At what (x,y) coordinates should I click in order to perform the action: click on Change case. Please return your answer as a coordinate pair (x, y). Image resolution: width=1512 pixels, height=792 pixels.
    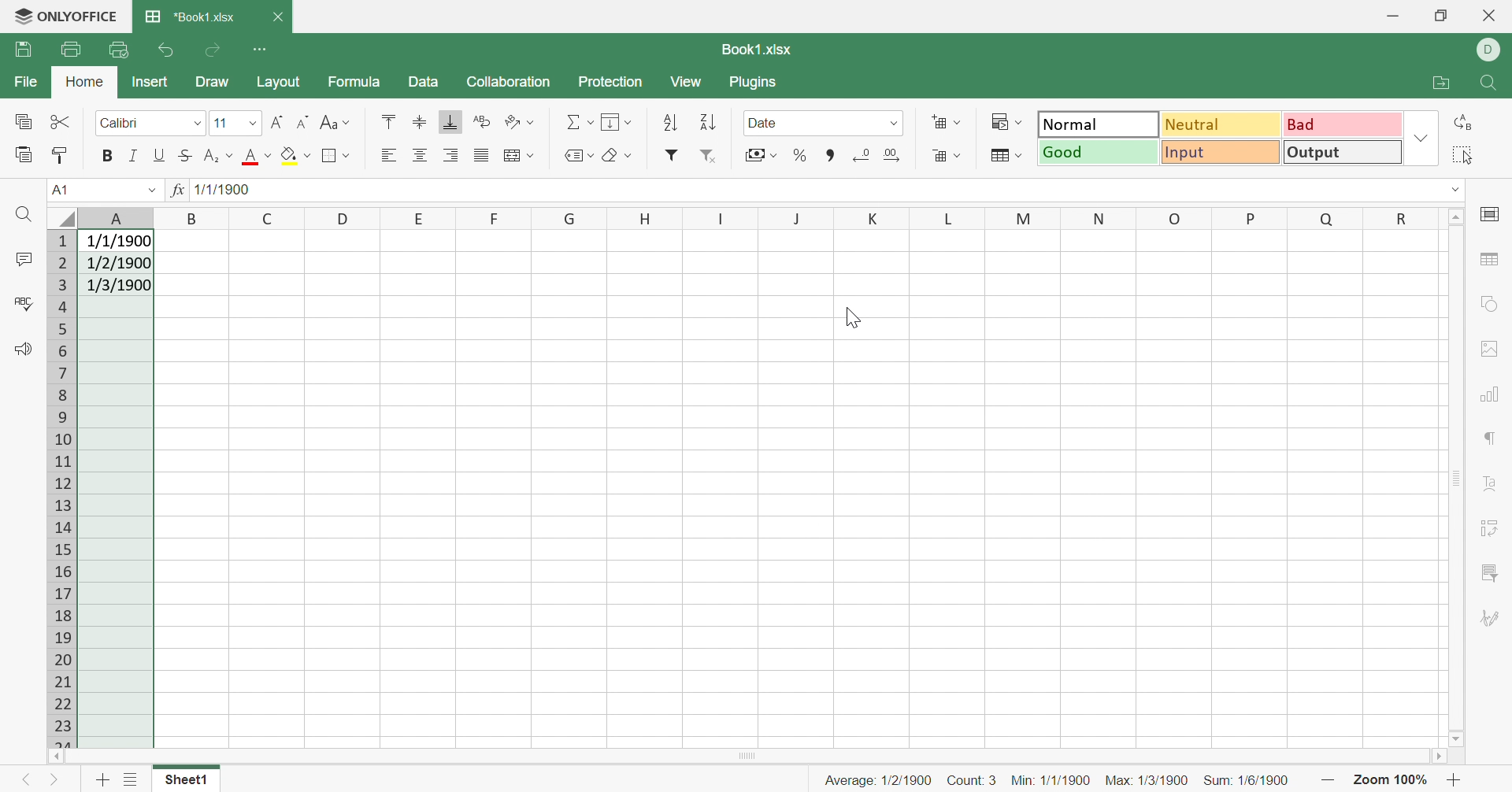
    Looking at the image, I should click on (335, 121).